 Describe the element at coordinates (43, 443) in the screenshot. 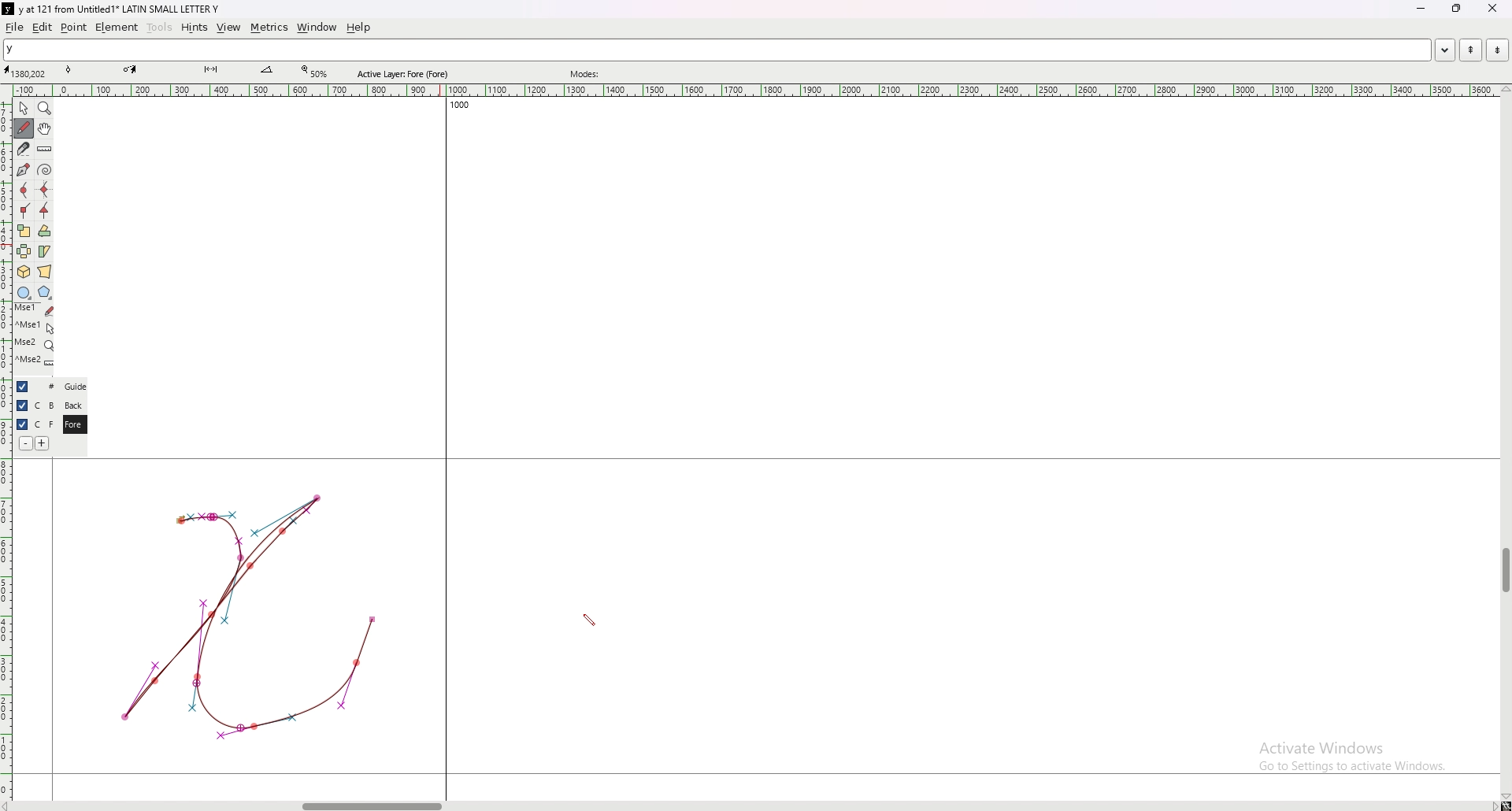

I see `add layer` at that location.